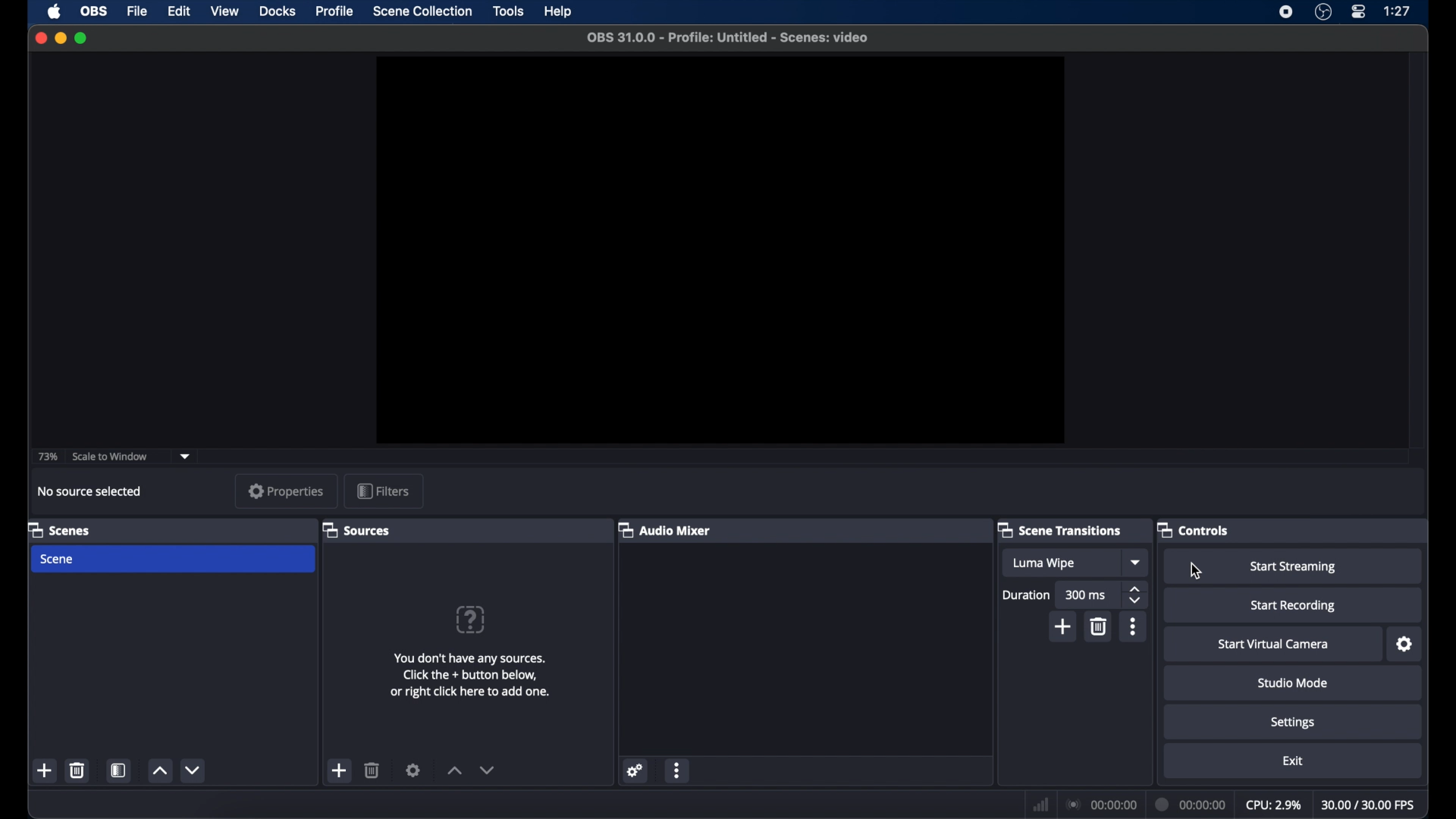 The height and width of the screenshot is (819, 1456). I want to click on settings, so click(1404, 645).